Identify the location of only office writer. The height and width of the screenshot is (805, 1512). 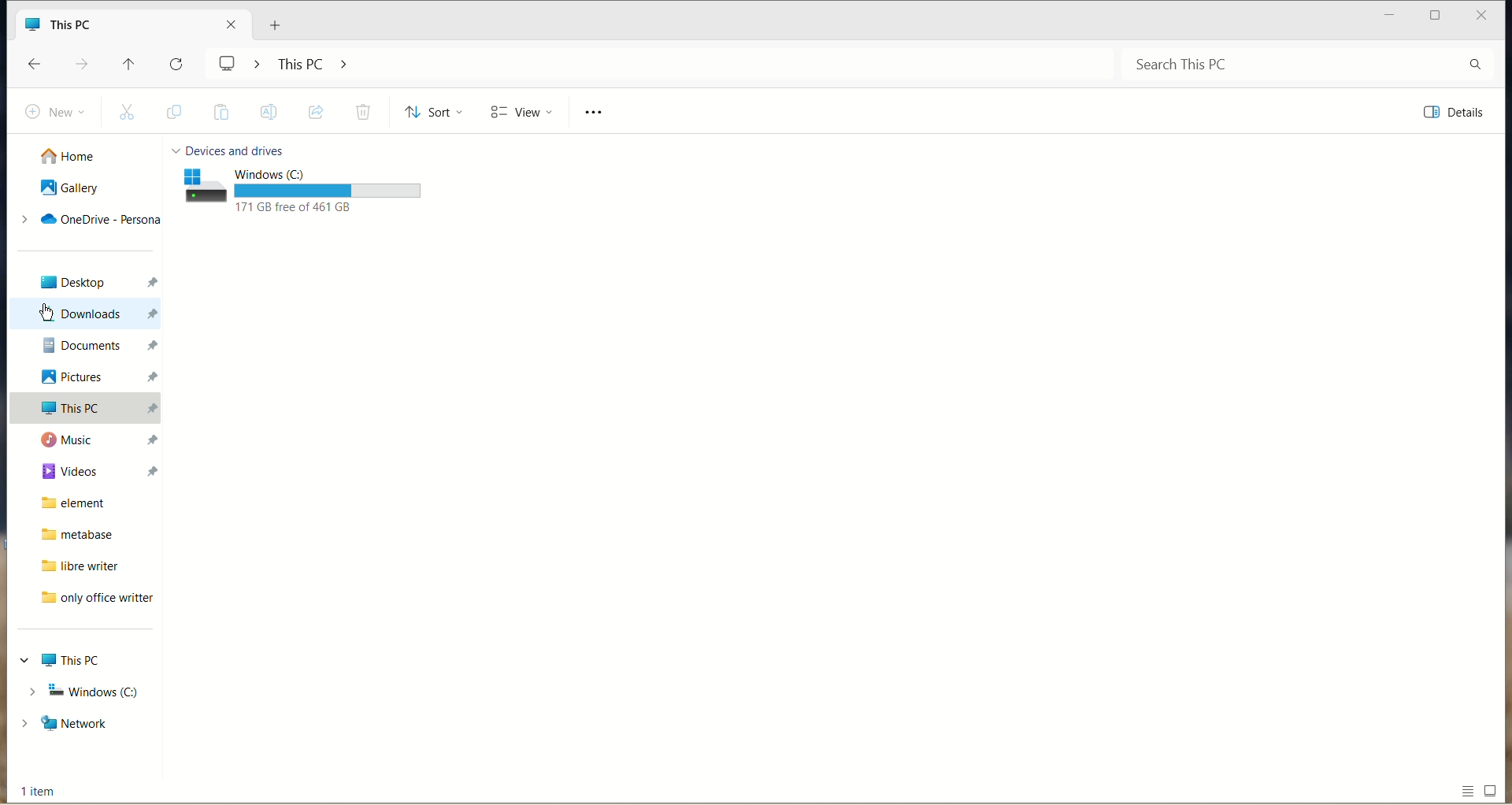
(91, 600).